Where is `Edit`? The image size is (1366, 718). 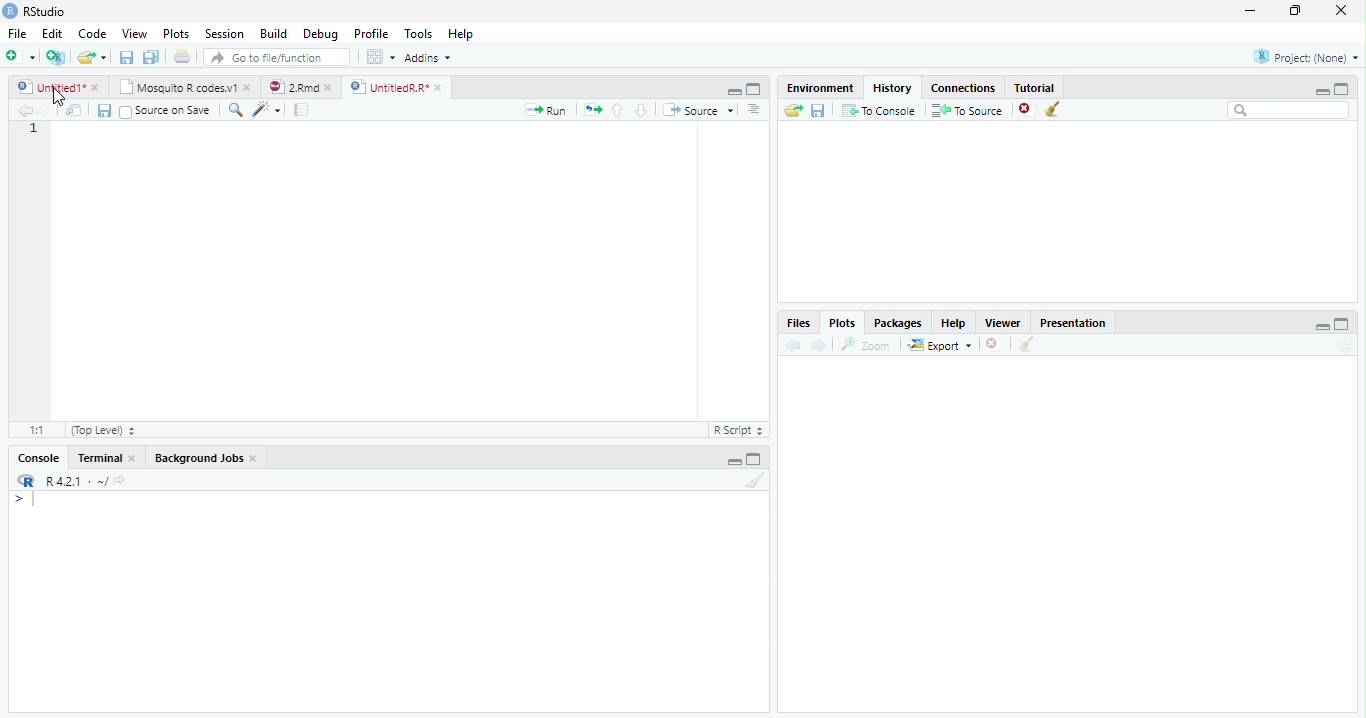
Edit is located at coordinates (51, 33).